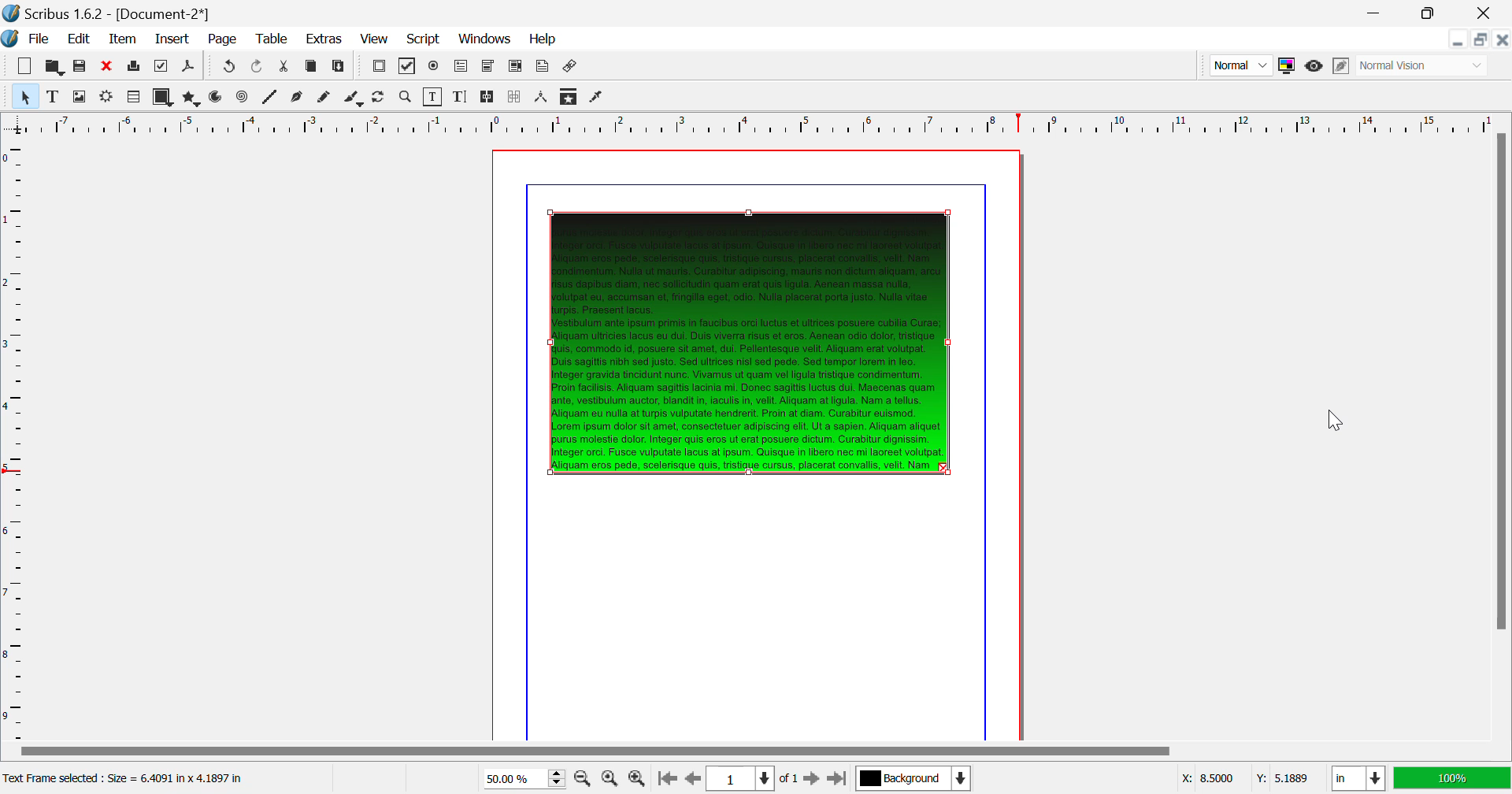  What do you see at coordinates (1343, 66) in the screenshot?
I see `Edit in Preview Mode` at bounding box center [1343, 66].